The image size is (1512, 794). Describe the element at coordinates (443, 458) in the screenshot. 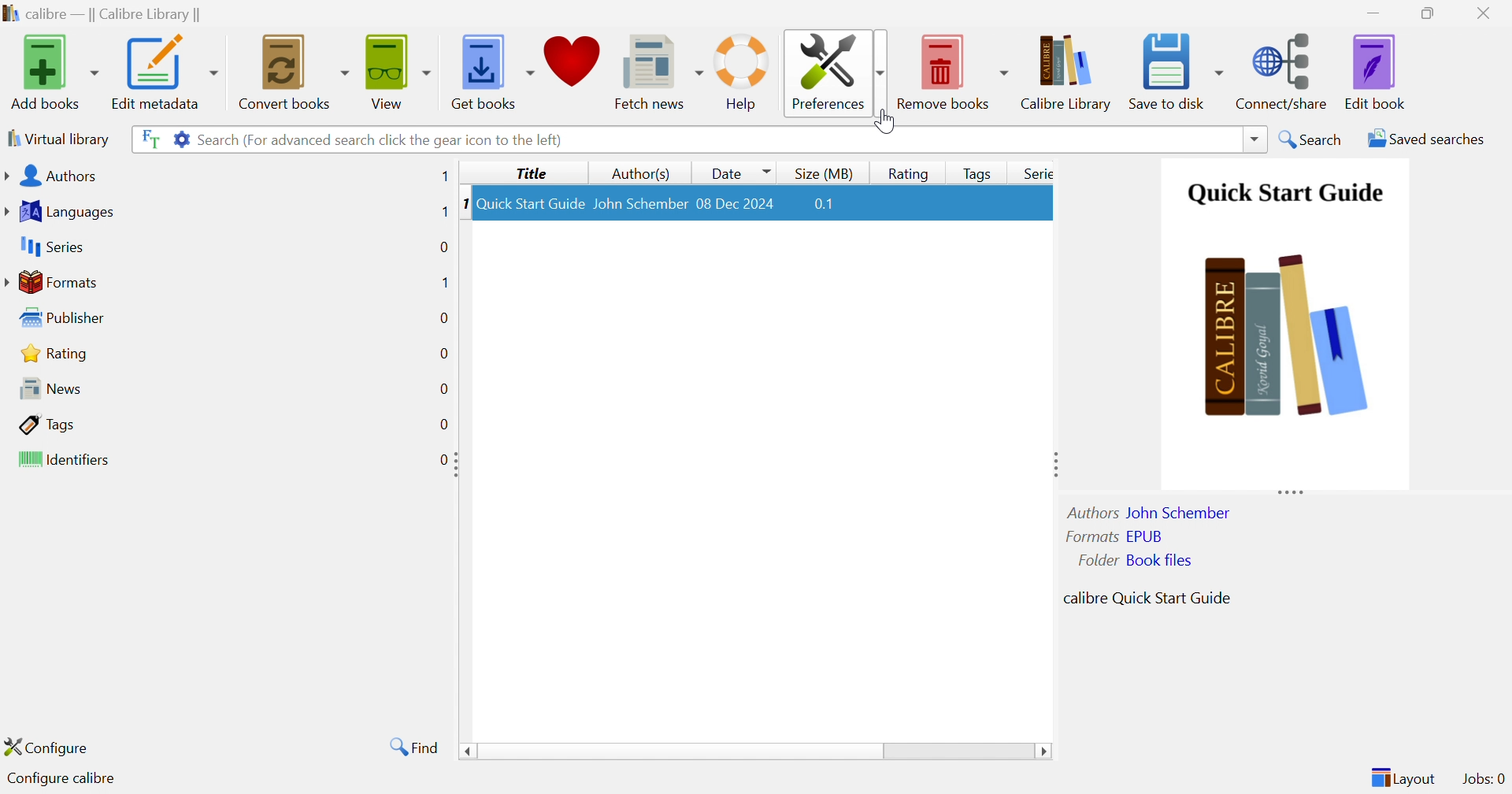

I see `0` at that location.